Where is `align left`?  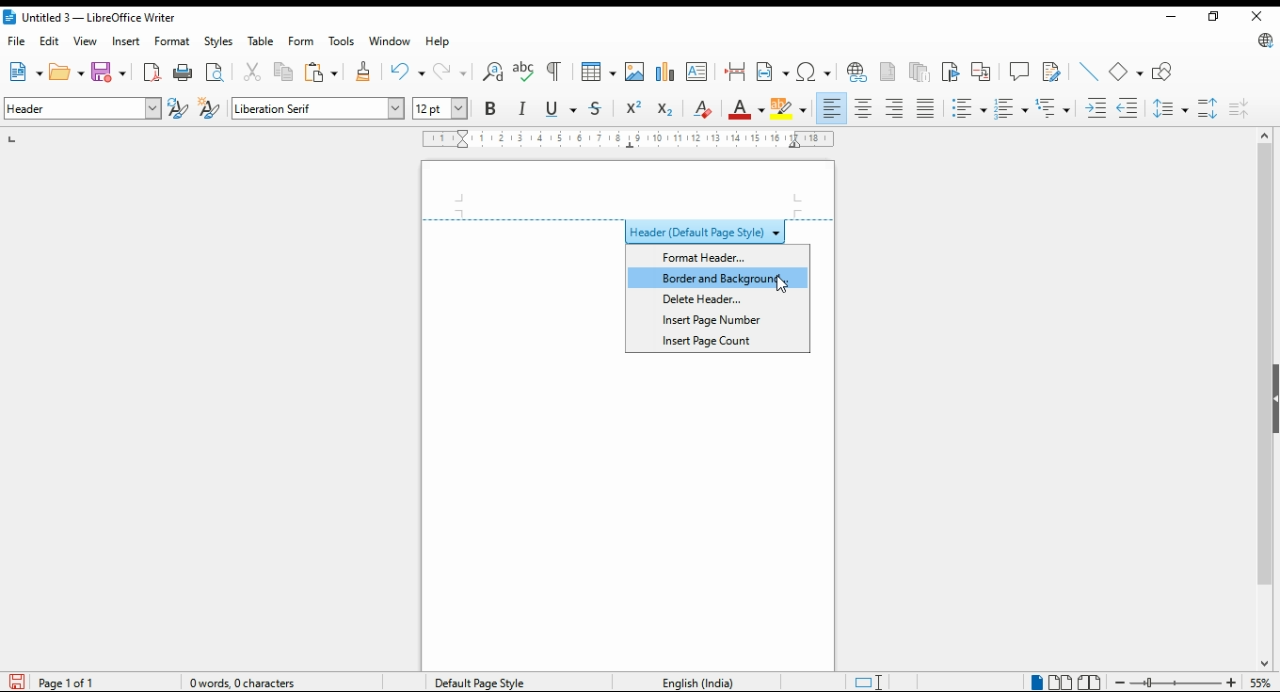 align left is located at coordinates (832, 108).